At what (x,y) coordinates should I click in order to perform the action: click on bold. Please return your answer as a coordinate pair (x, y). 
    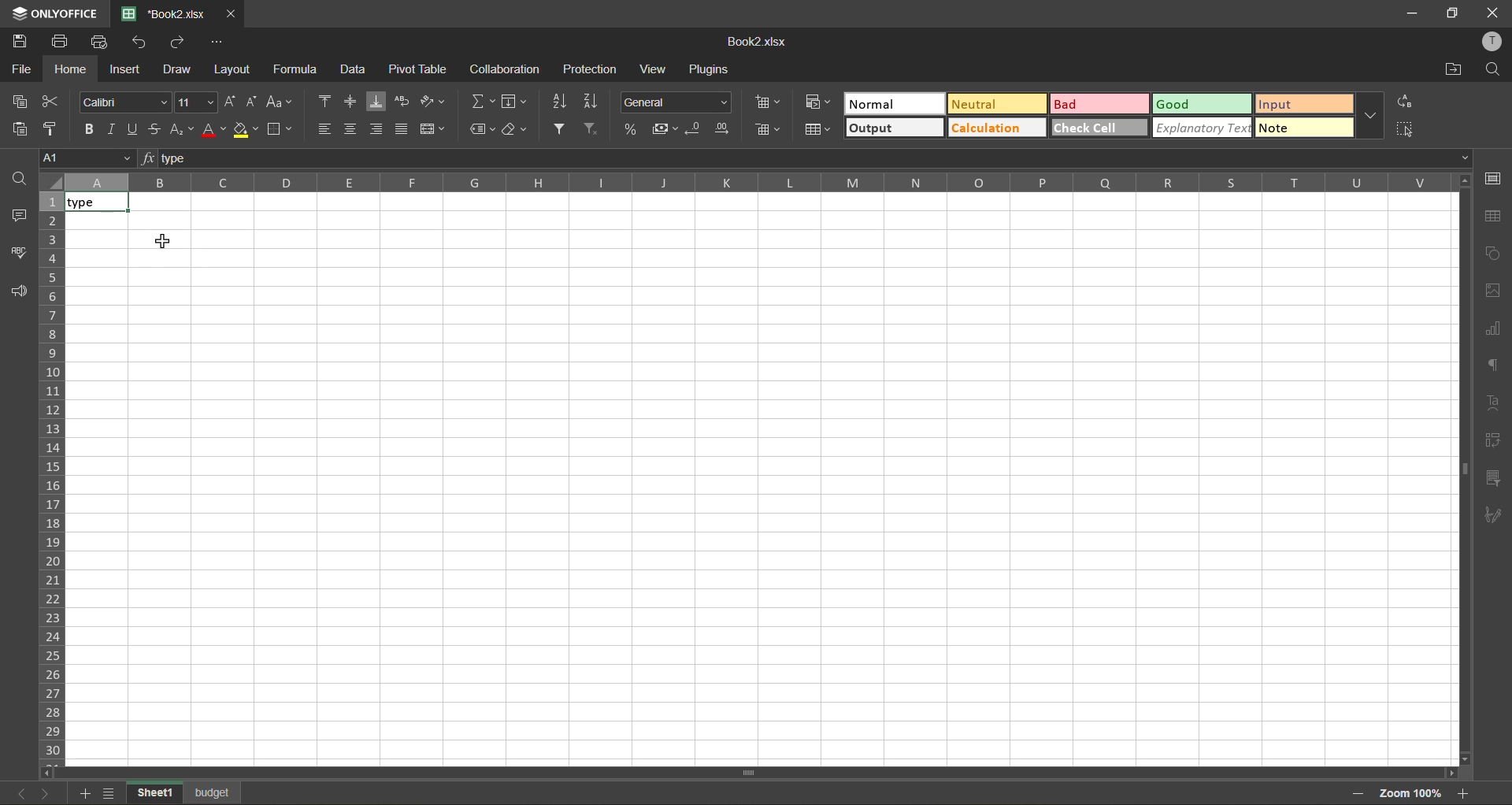
    Looking at the image, I should click on (86, 128).